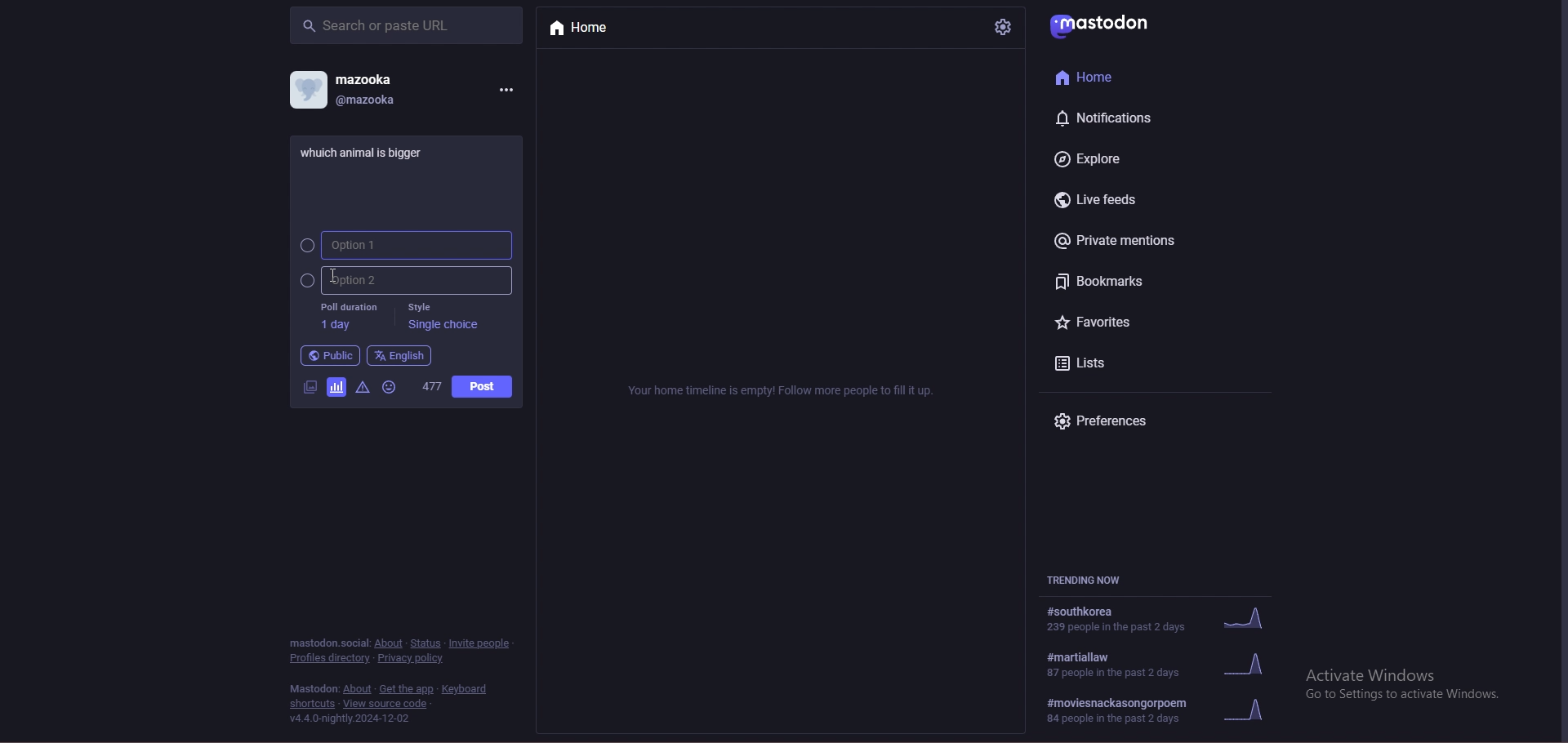 The width and height of the screenshot is (1568, 743). What do you see at coordinates (1119, 422) in the screenshot?
I see `preferences` at bounding box center [1119, 422].